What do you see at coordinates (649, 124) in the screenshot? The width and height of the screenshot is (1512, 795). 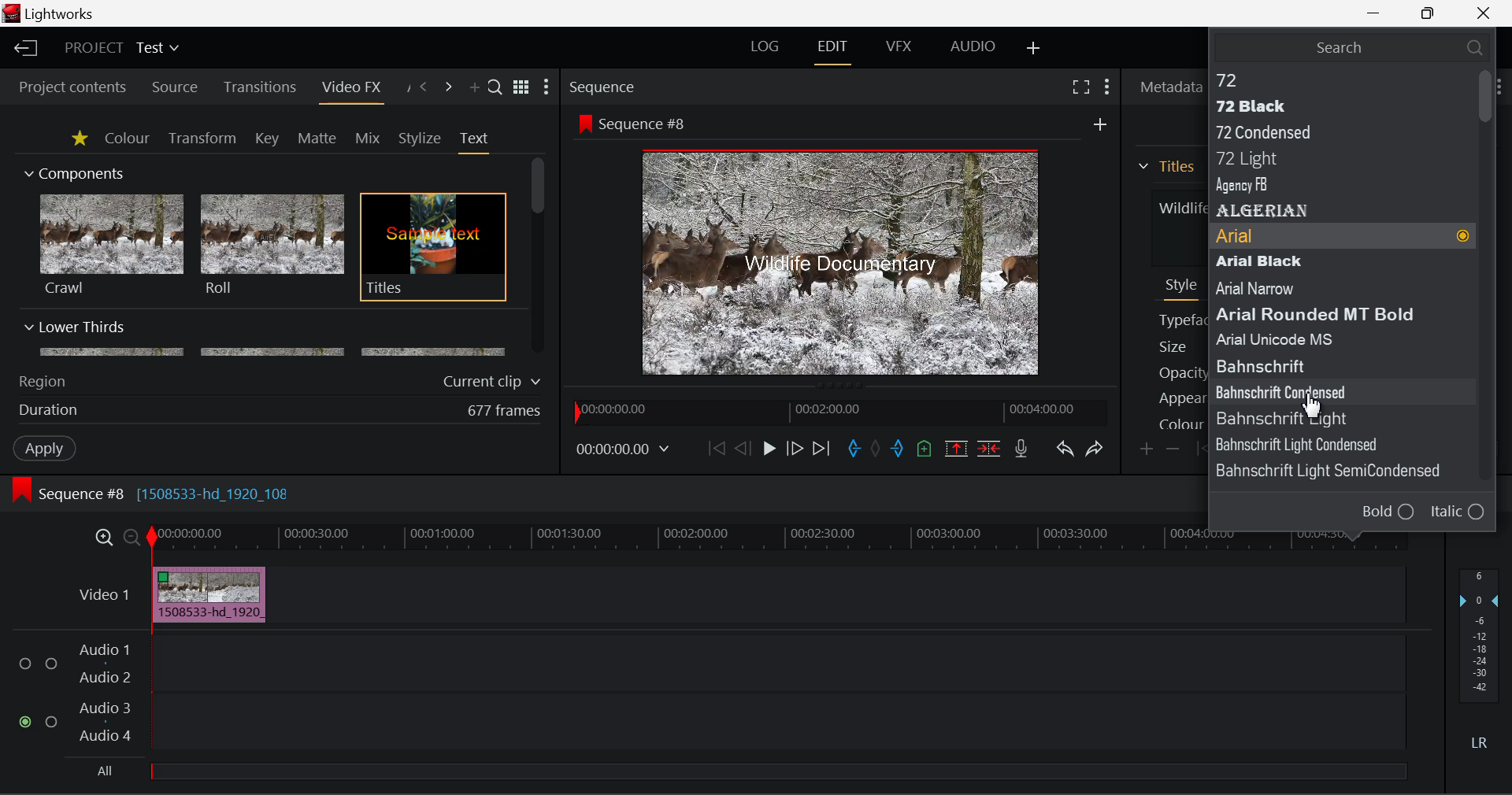 I see `Sequence #8` at bounding box center [649, 124].